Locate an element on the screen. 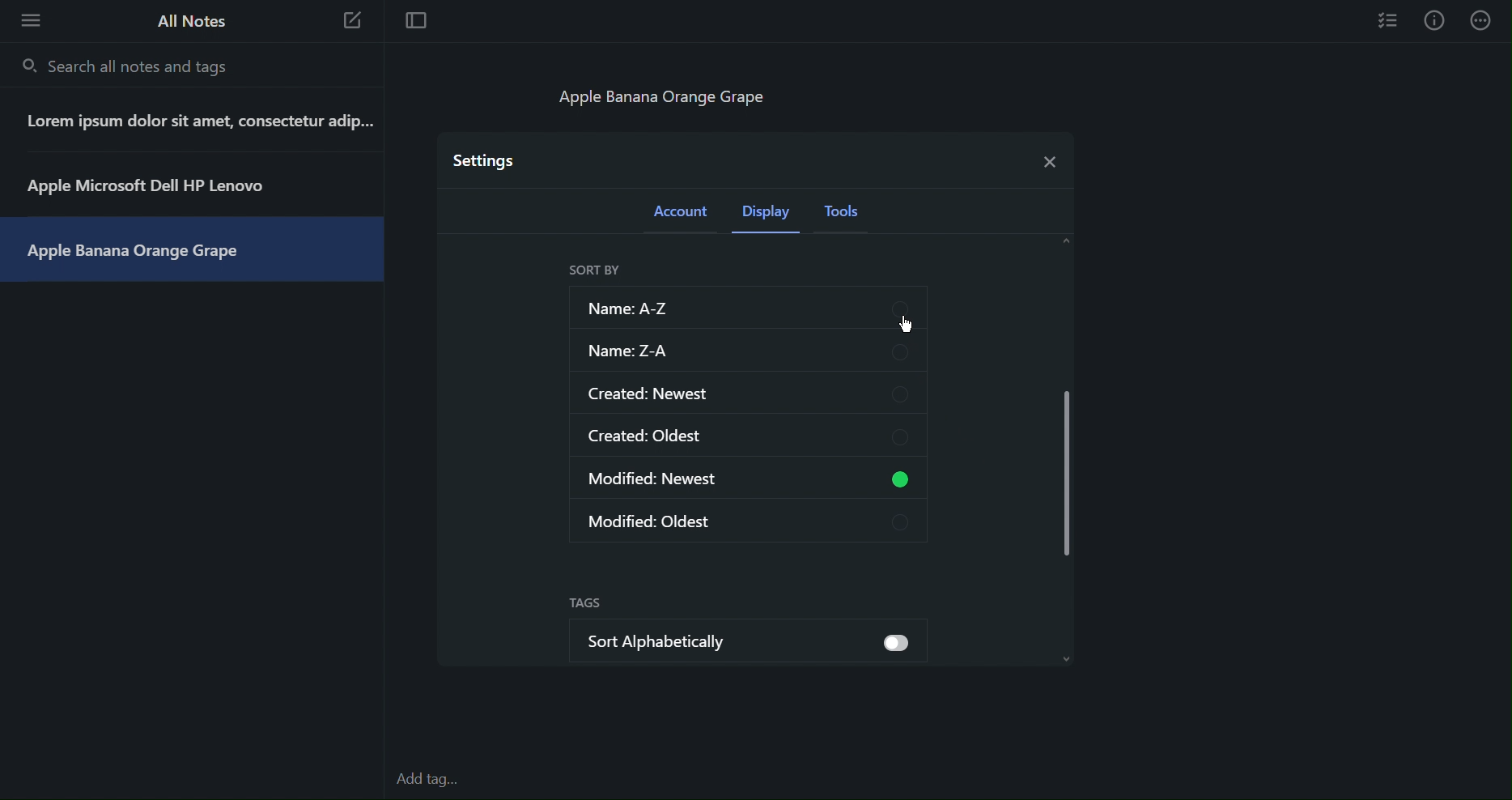 This screenshot has width=1512, height=800. Focus Mode is located at coordinates (414, 22).